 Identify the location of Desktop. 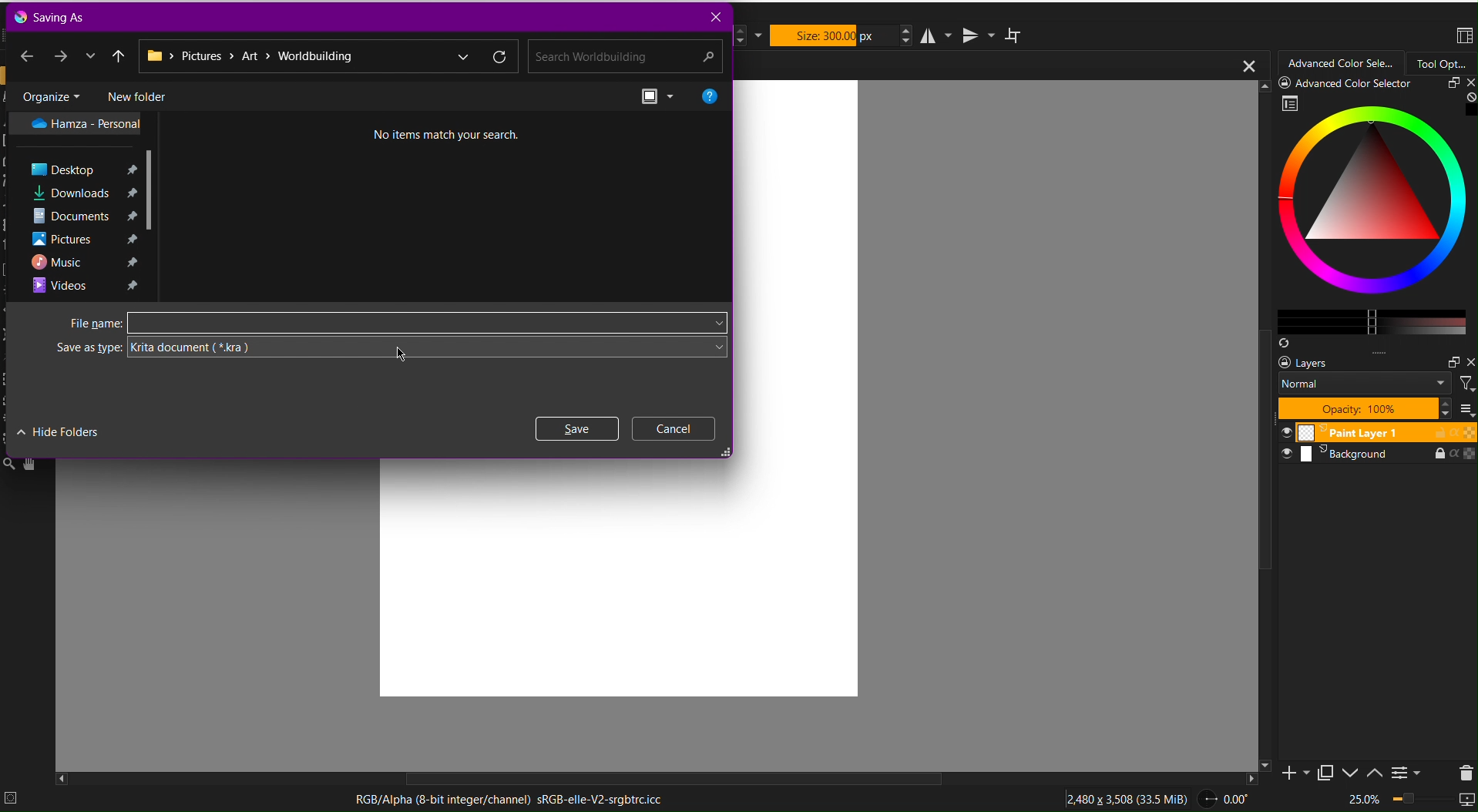
(64, 169).